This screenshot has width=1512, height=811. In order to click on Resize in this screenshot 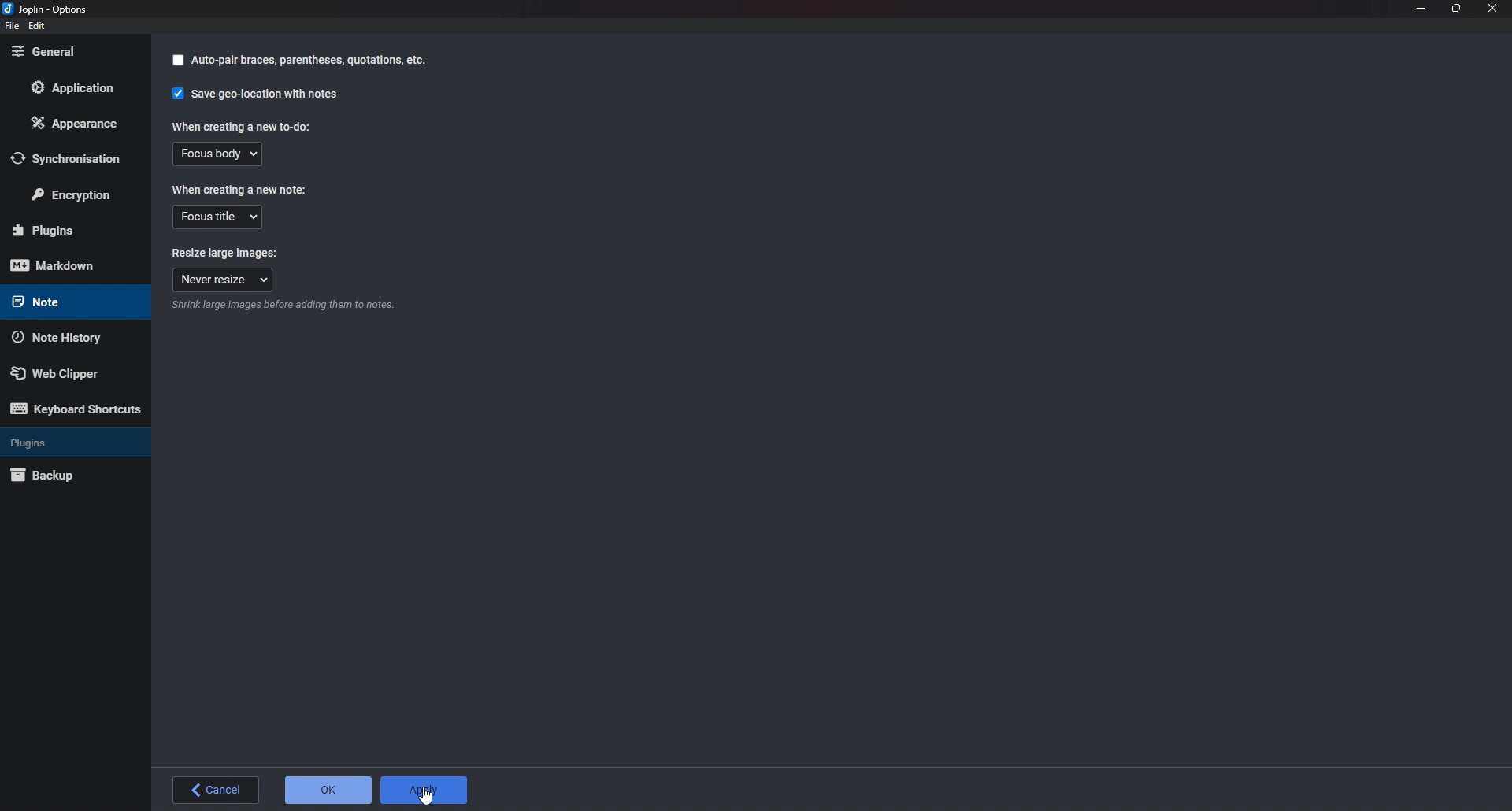, I will do `click(1458, 9)`.